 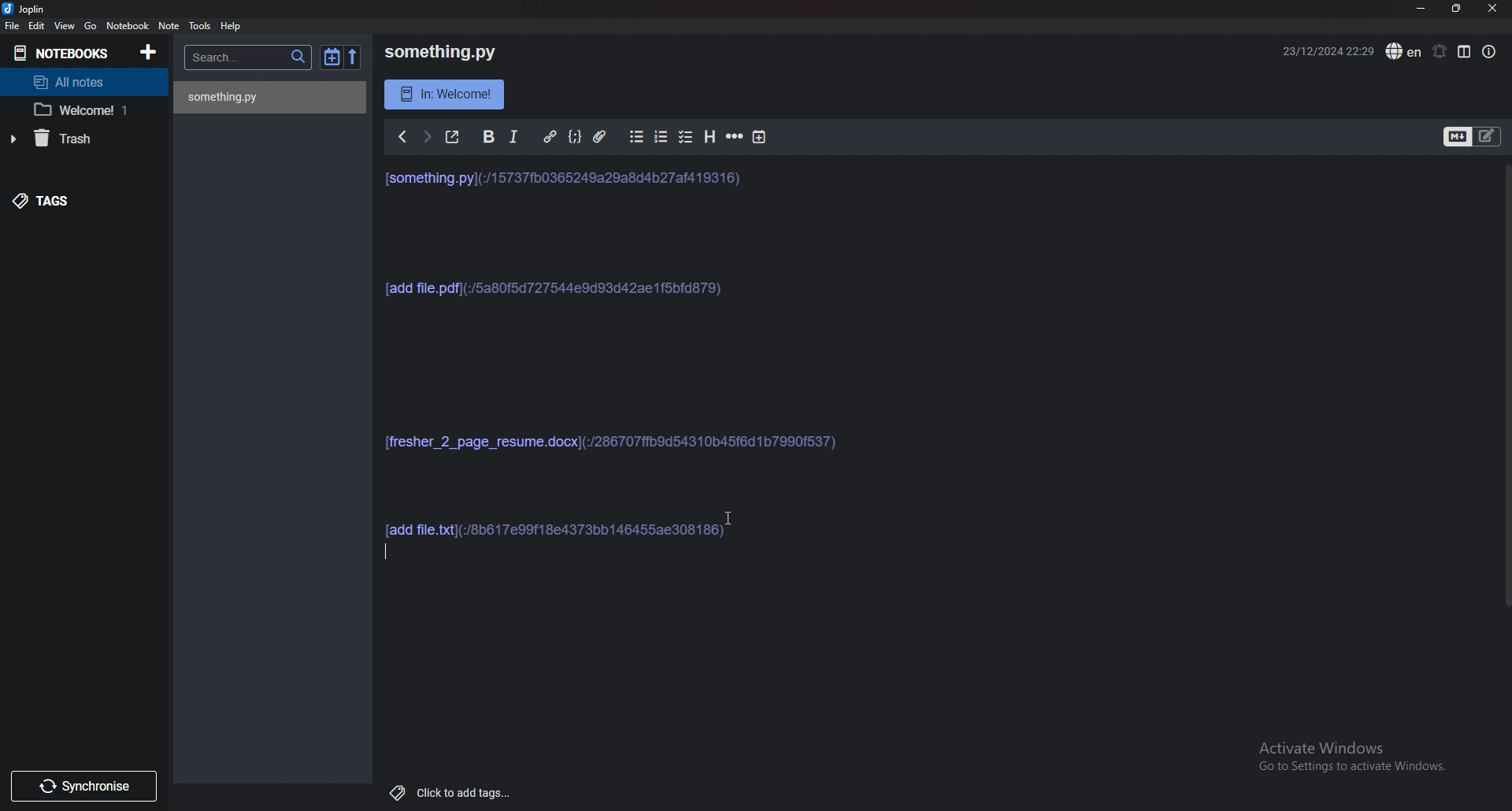 What do you see at coordinates (710, 136) in the screenshot?
I see `heading` at bounding box center [710, 136].